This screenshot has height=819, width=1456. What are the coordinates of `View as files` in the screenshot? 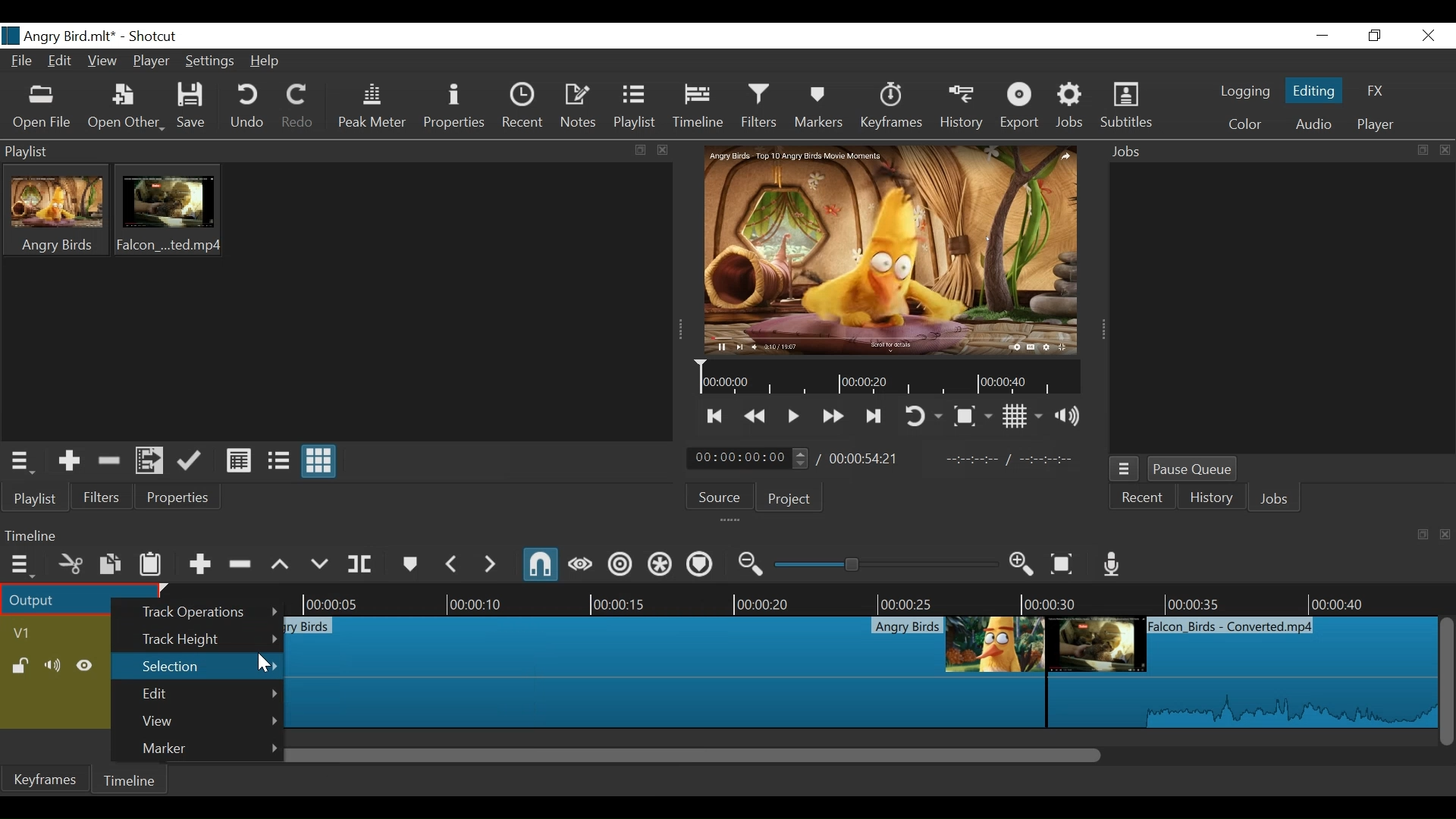 It's located at (277, 460).